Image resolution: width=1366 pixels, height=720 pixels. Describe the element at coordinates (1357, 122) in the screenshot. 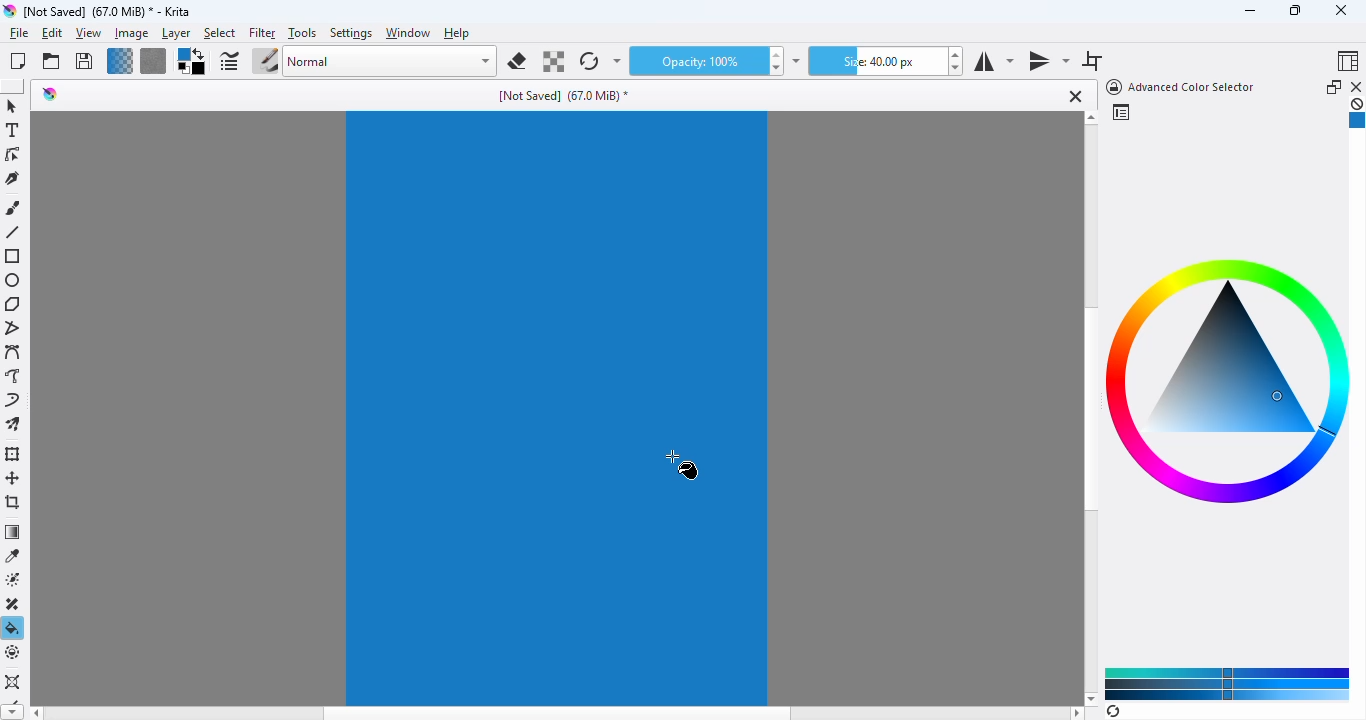

I see `selected color` at that location.